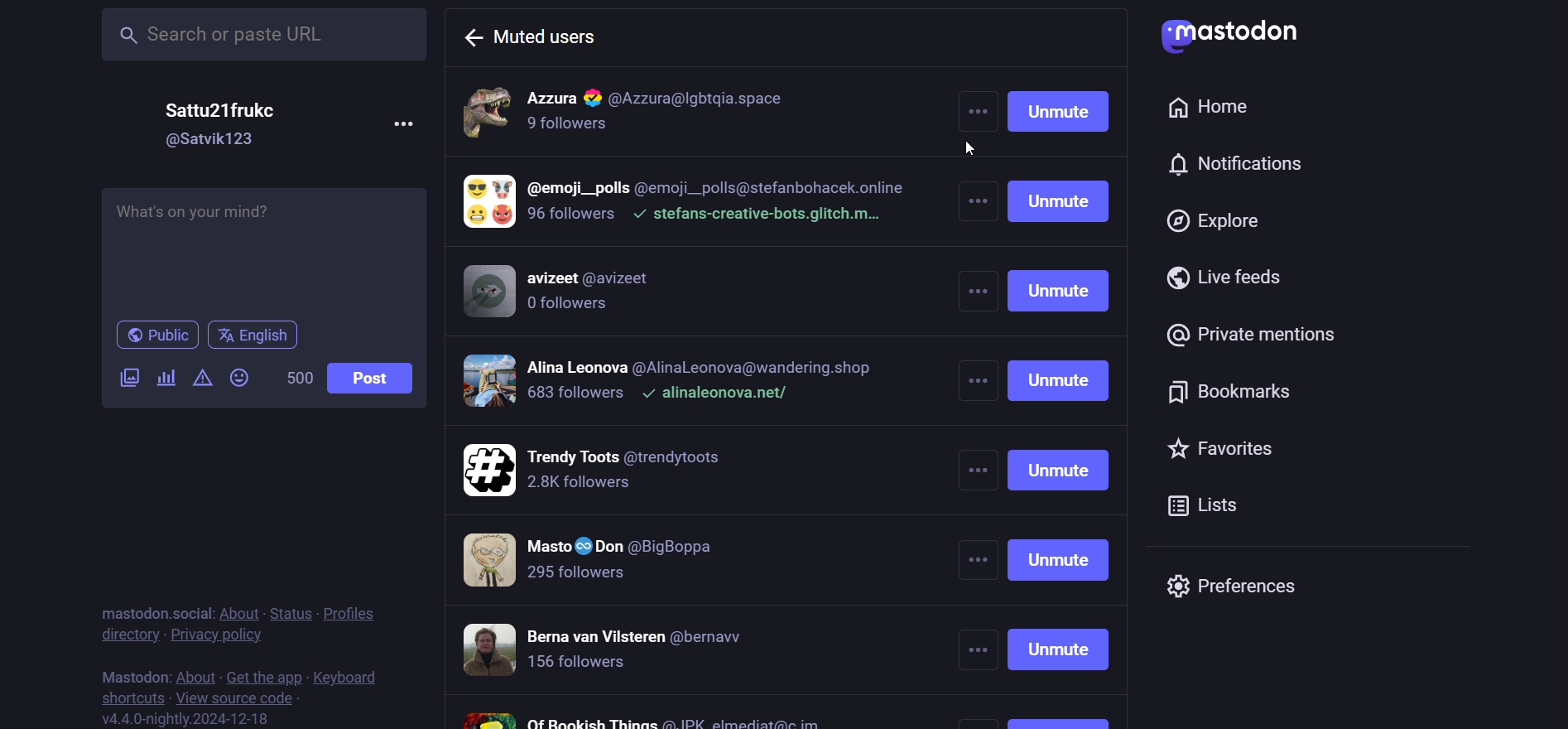 The height and width of the screenshot is (729, 1568). What do you see at coordinates (263, 673) in the screenshot?
I see `get the app` at bounding box center [263, 673].